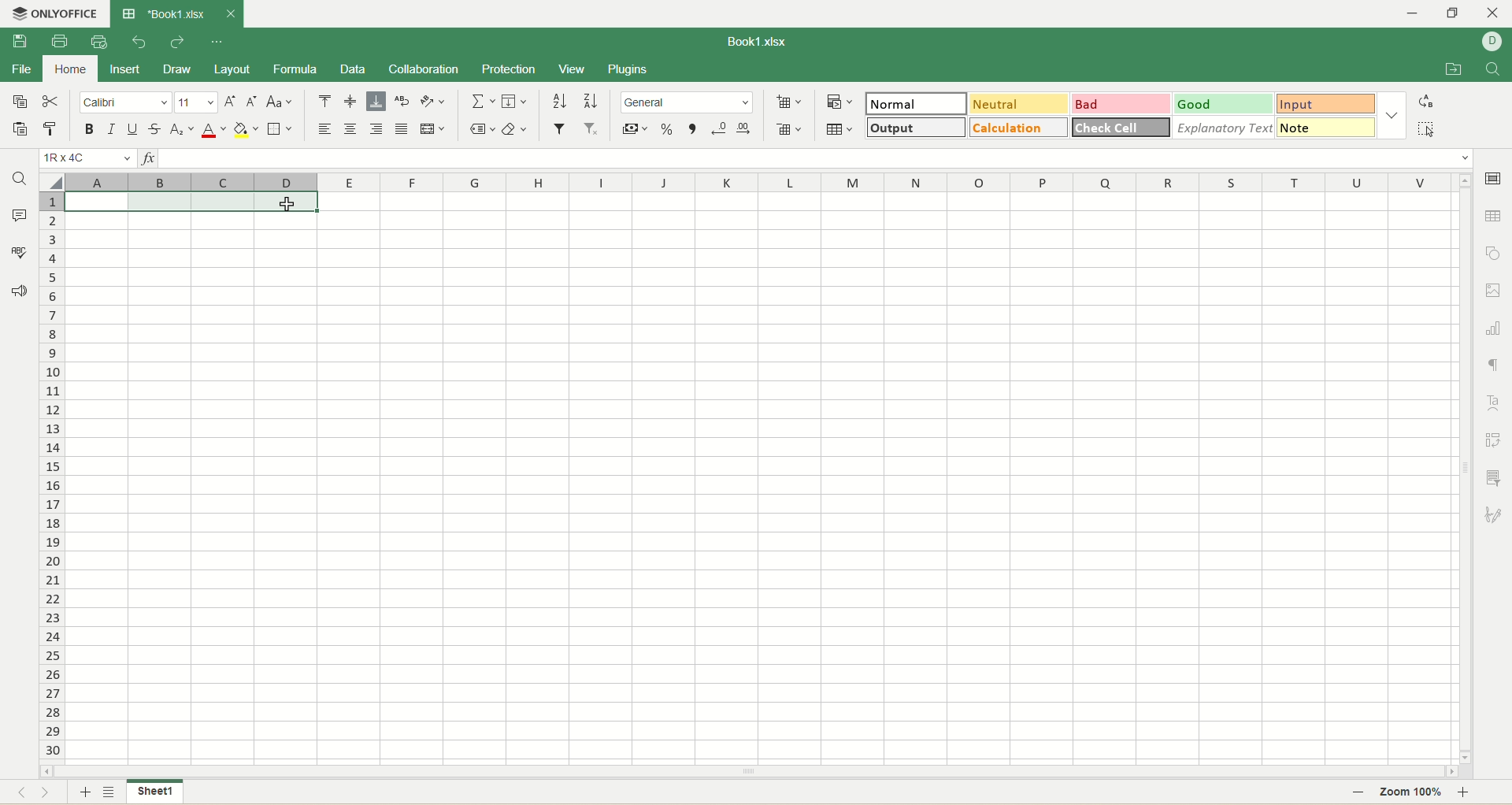 Image resolution: width=1512 pixels, height=805 pixels. I want to click on input, so click(1326, 105).